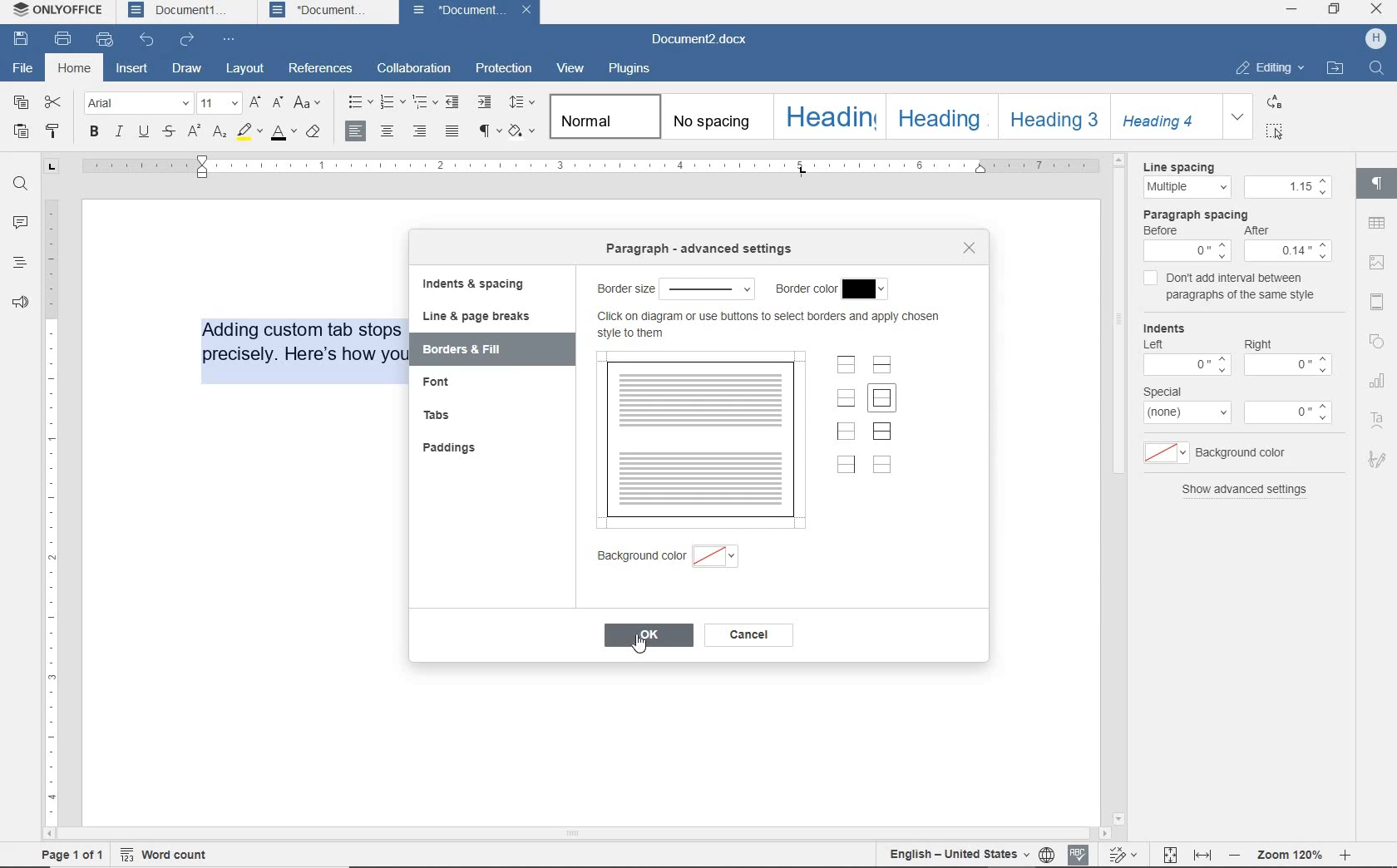 This screenshot has width=1397, height=868. What do you see at coordinates (138, 103) in the screenshot?
I see `font` at bounding box center [138, 103].